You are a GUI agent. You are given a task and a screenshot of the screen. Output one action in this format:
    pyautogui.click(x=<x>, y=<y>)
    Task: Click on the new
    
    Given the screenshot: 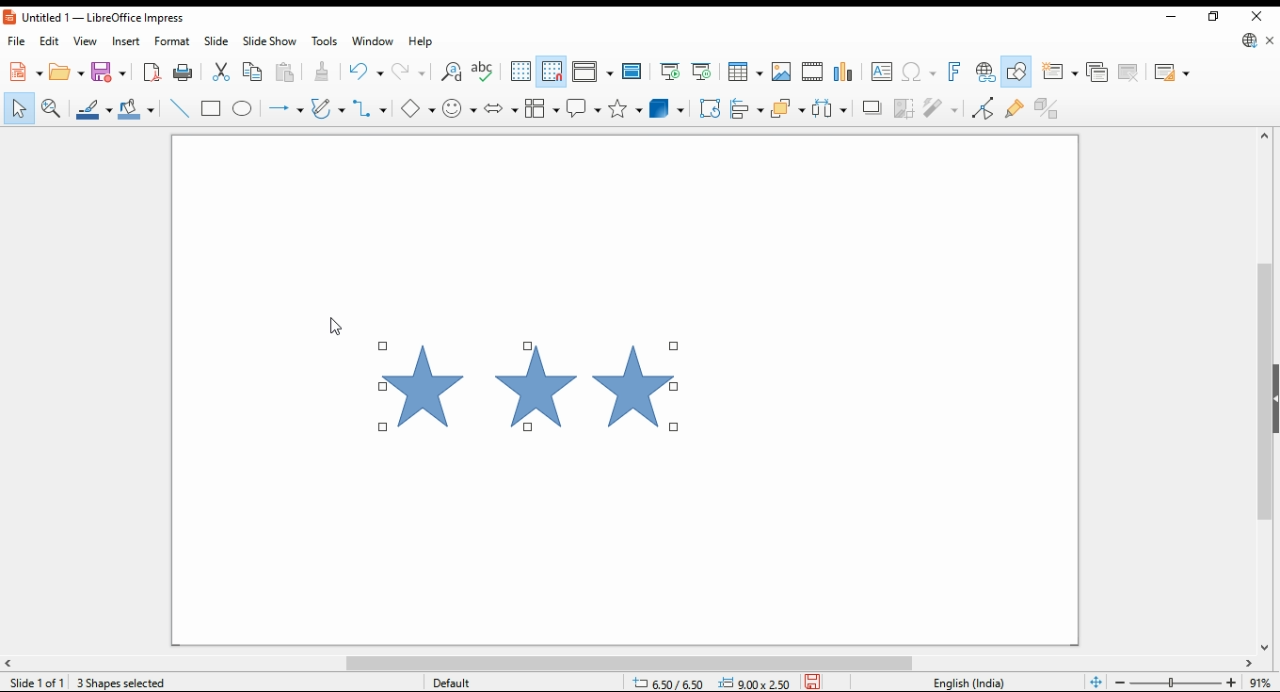 What is the action you would take?
    pyautogui.click(x=23, y=71)
    